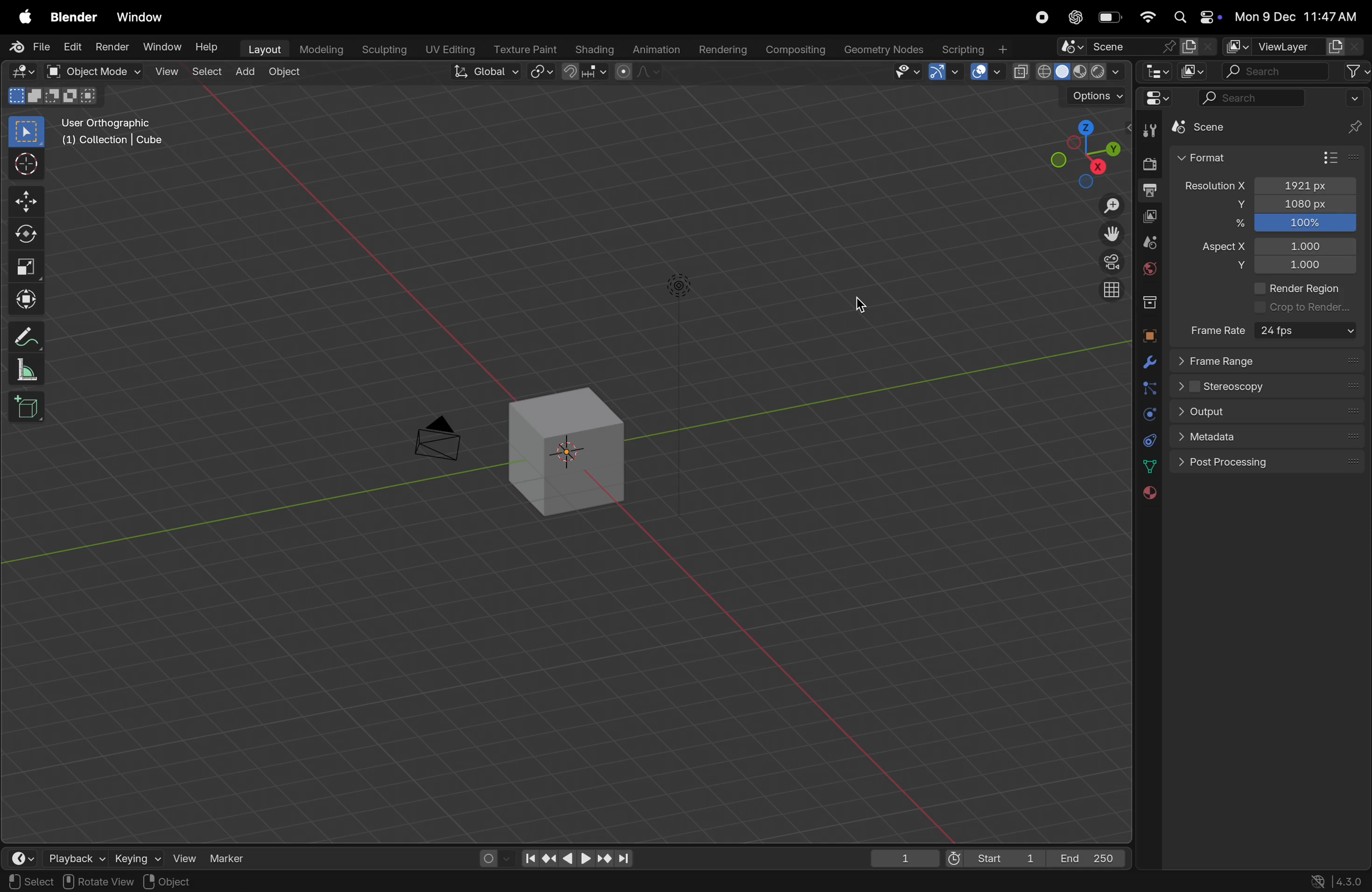 The width and height of the screenshot is (1372, 892). What do you see at coordinates (1197, 16) in the screenshot?
I see `apple widgets` at bounding box center [1197, 16].